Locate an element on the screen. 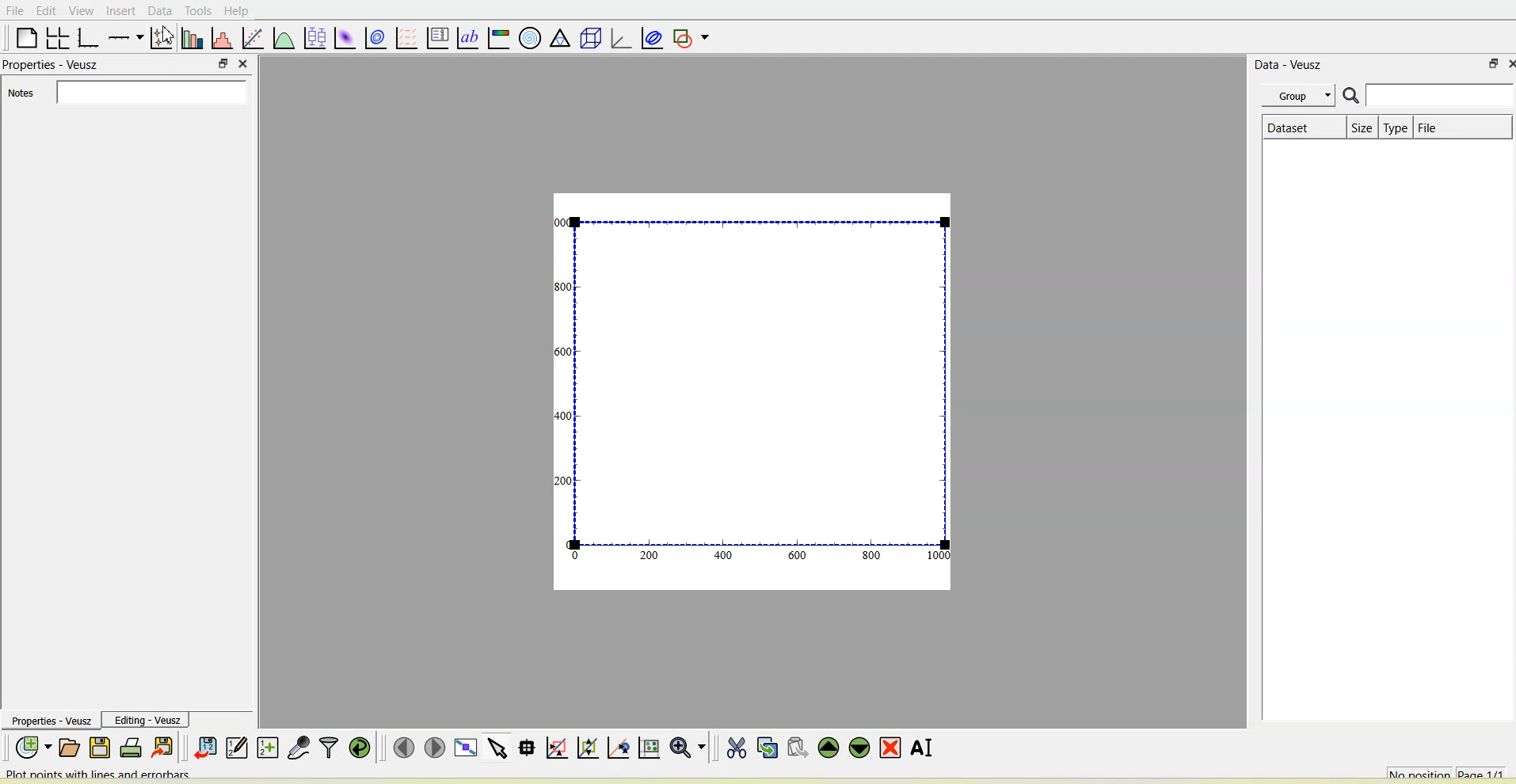 The width and height of the screenshot is (1516, 784). Add an axis to the plot is located at coordinates (124, 37).